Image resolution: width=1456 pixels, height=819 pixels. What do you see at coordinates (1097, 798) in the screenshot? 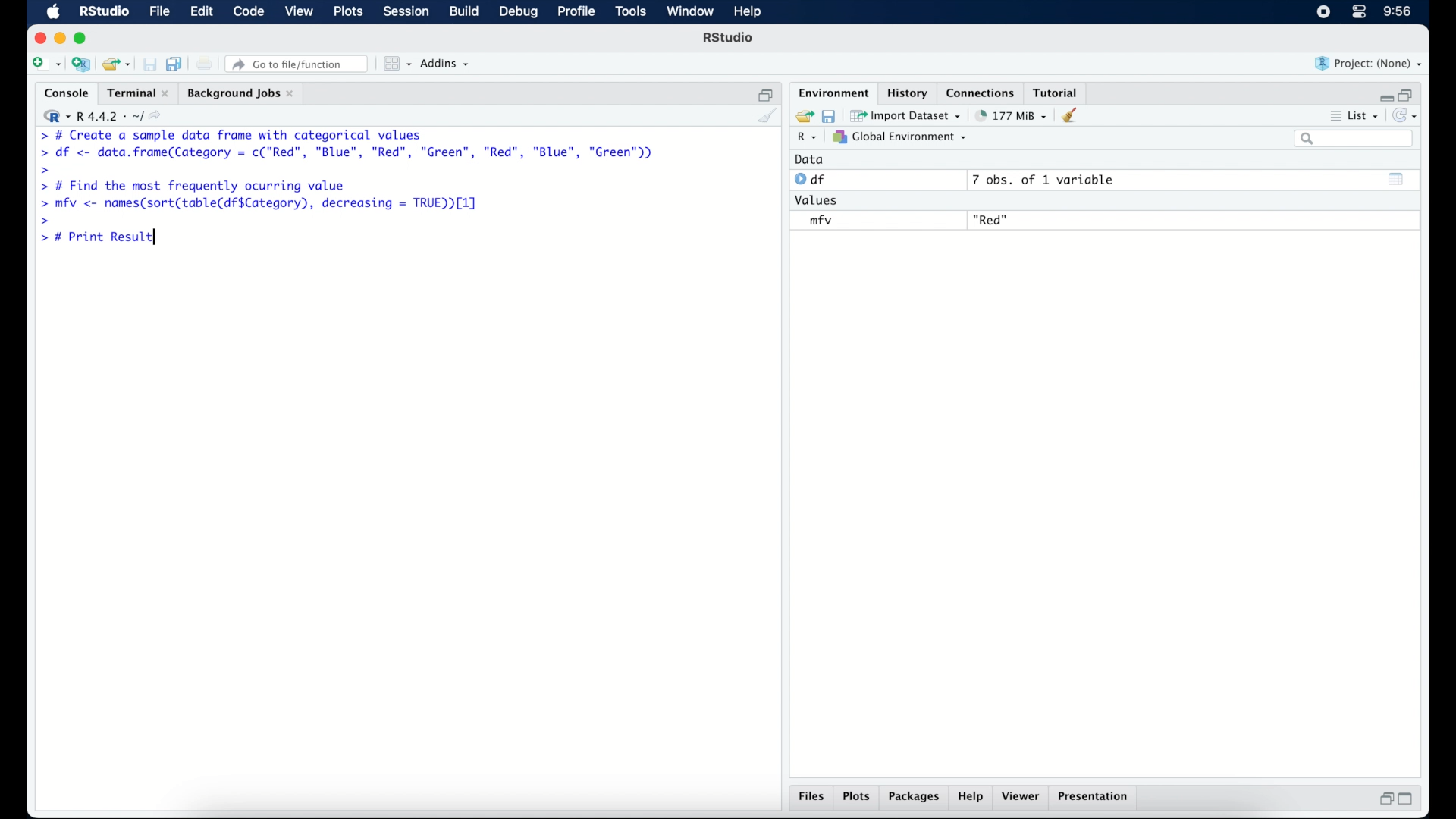
I see `presentation` at bounding box center [1097, 798].